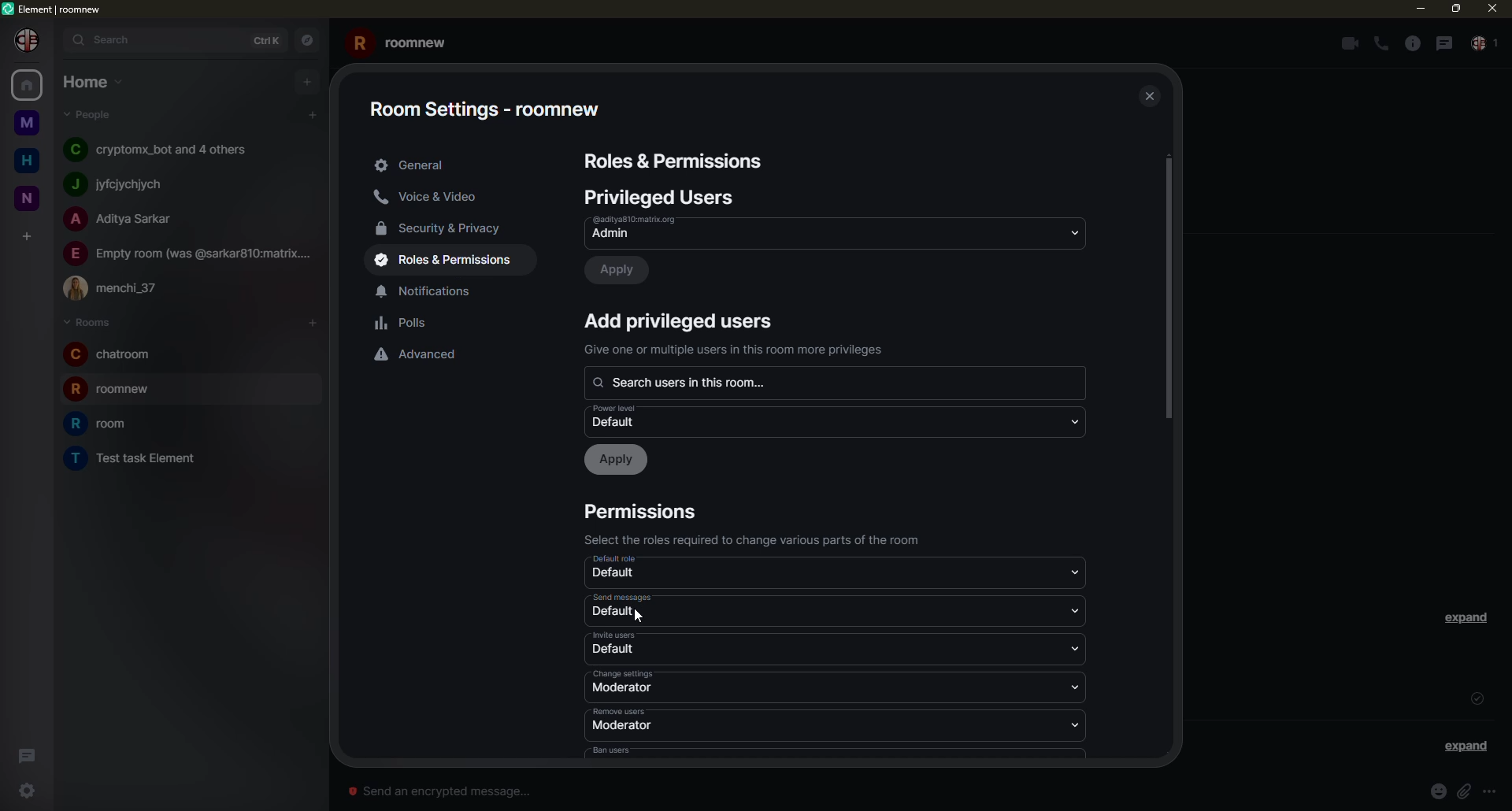 The width and height of the screenshot is (1512, 811). I want to click on room, so click(112, 354).